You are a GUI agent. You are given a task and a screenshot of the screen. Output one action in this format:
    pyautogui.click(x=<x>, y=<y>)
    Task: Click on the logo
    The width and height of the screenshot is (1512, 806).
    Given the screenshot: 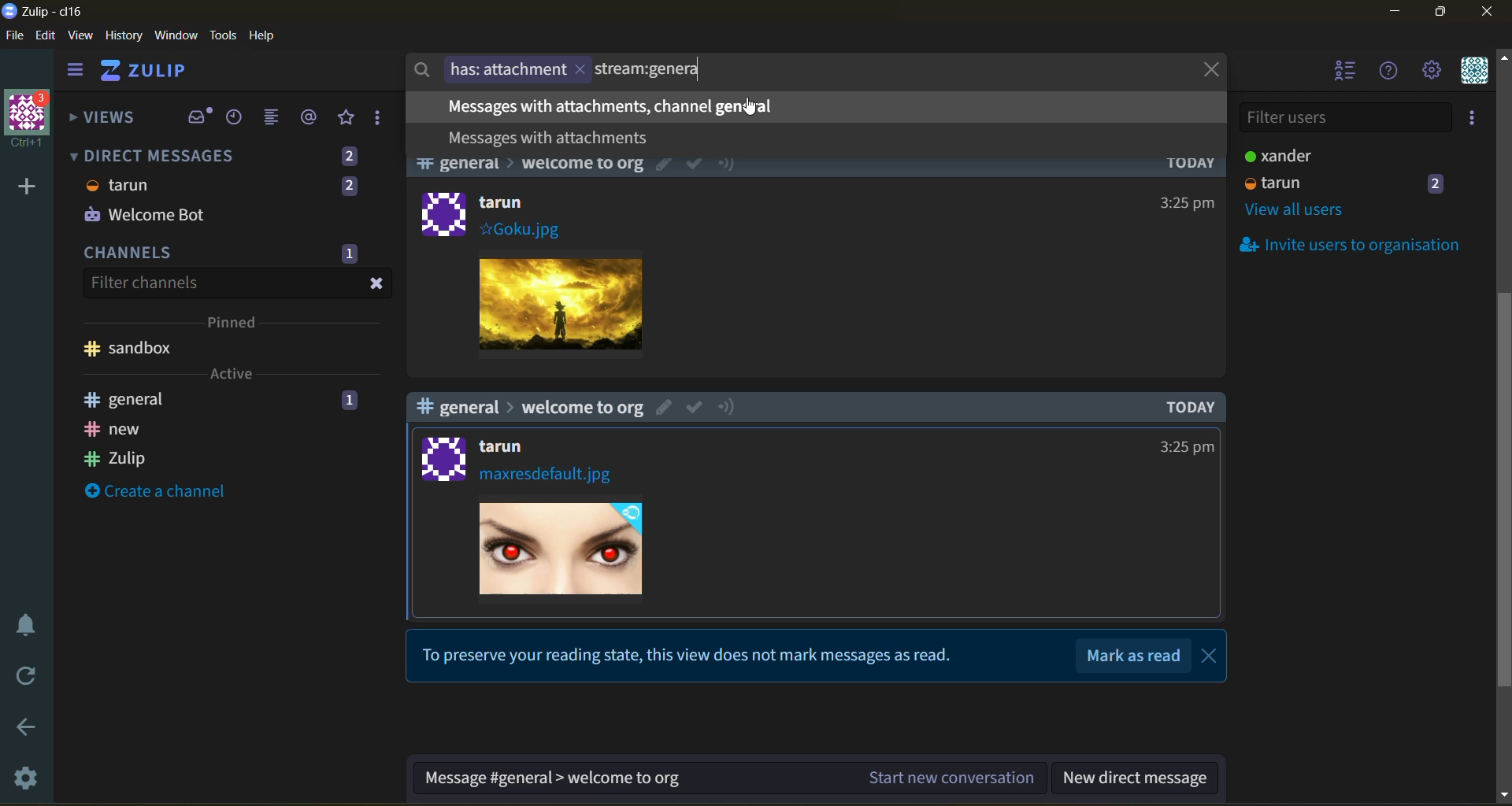 What is the action you would take?
    pyautogui.click(x=438, y=457)
    